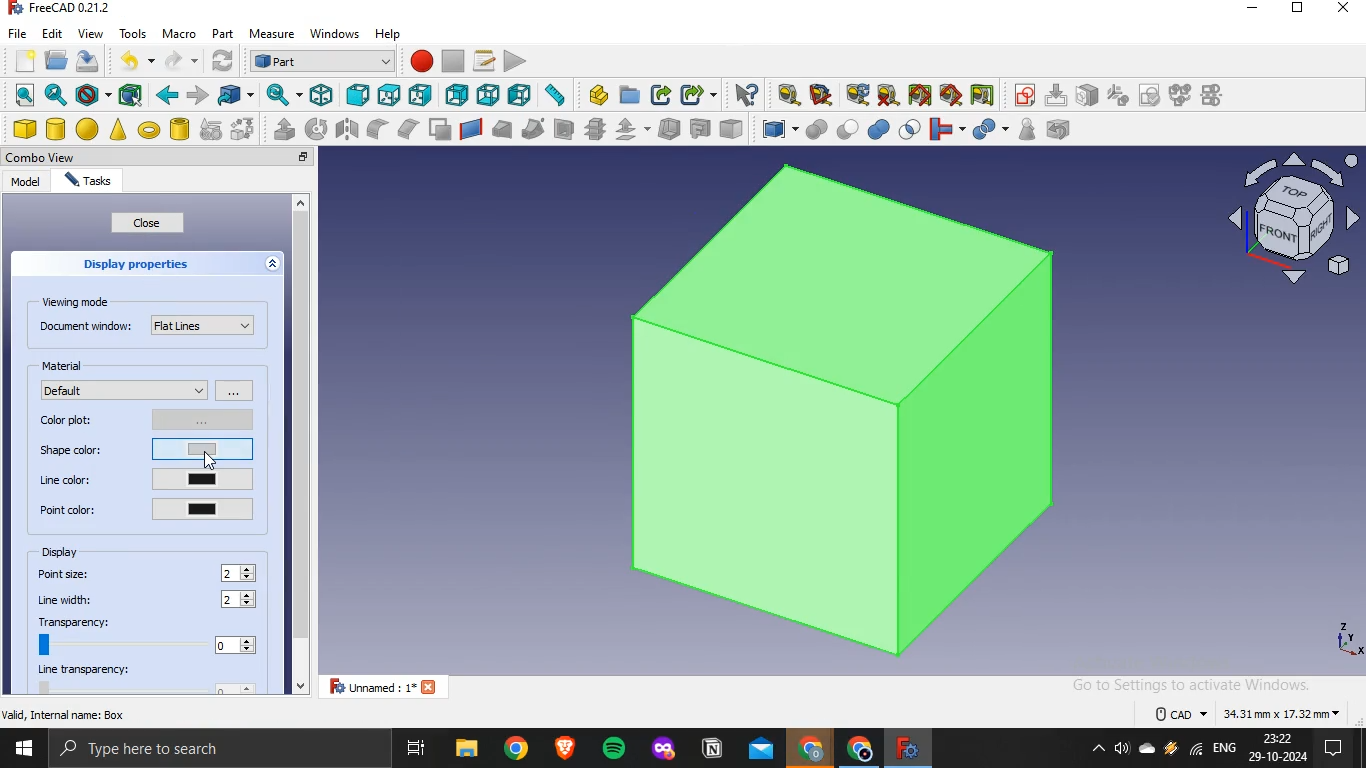 This screenshot has height=768, width=1366. I want to click on winamp agent, so click(1171, 749).